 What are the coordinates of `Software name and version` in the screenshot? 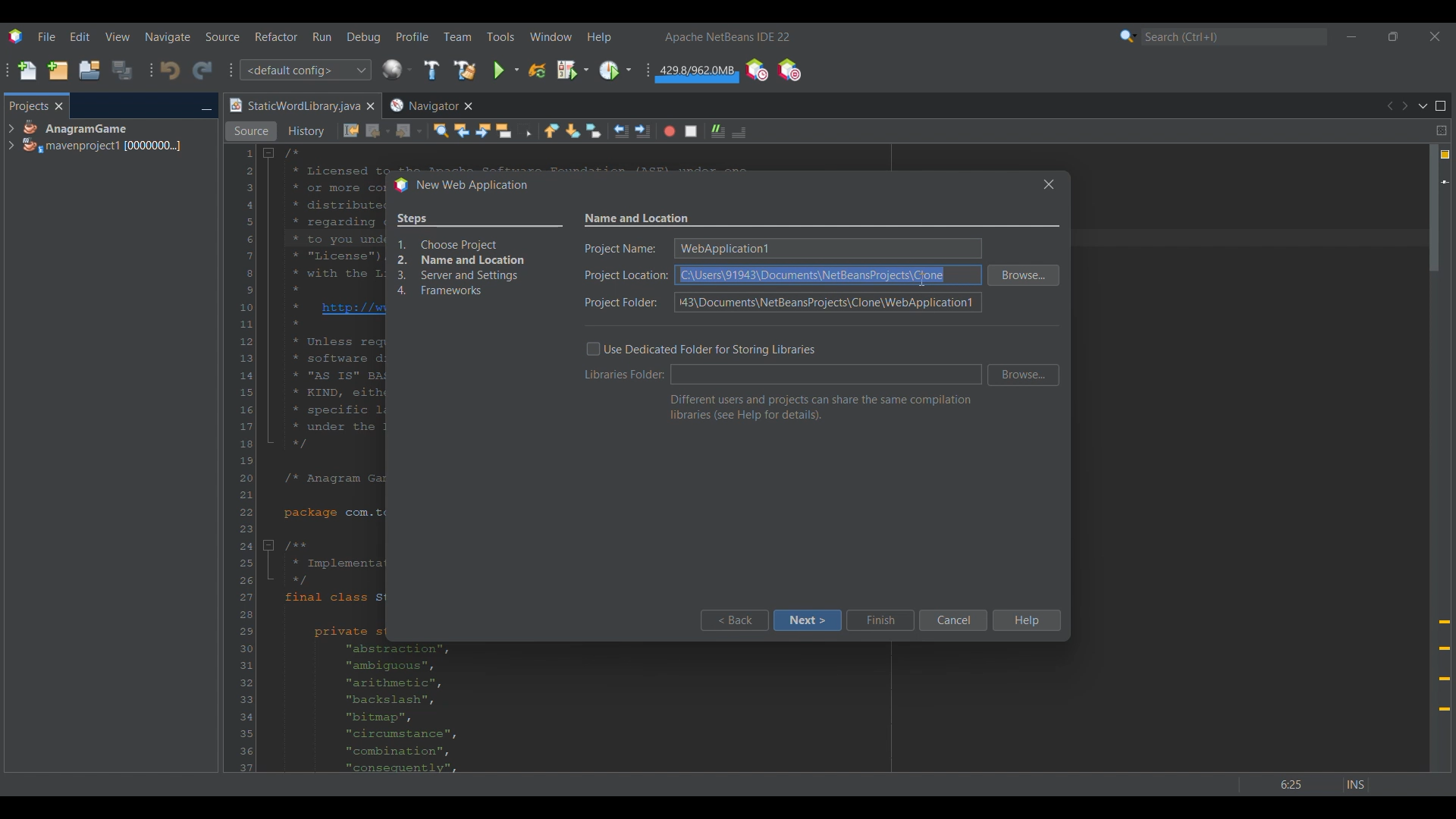 It's located at (728, 36).